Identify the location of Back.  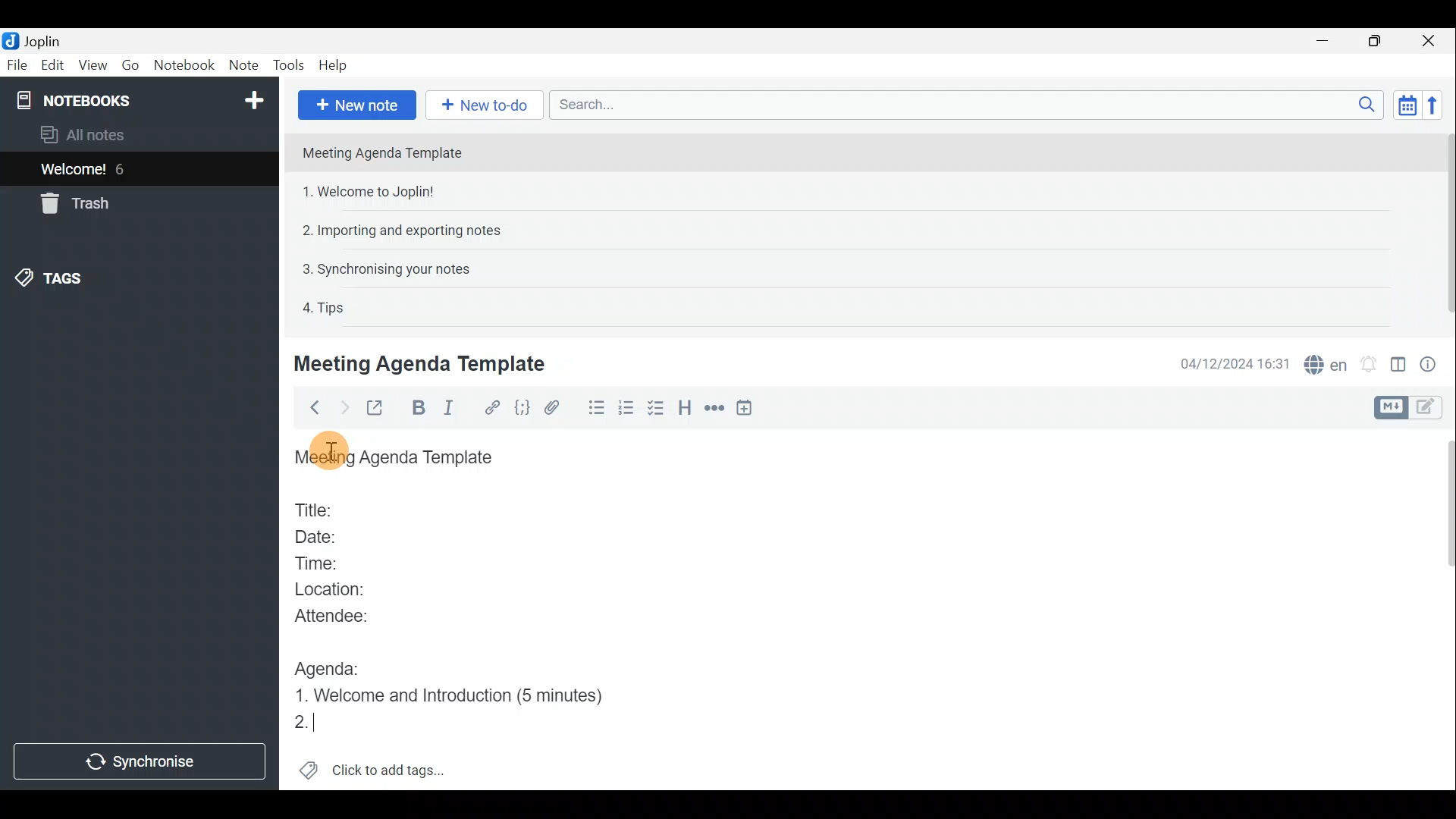
(310, 410).